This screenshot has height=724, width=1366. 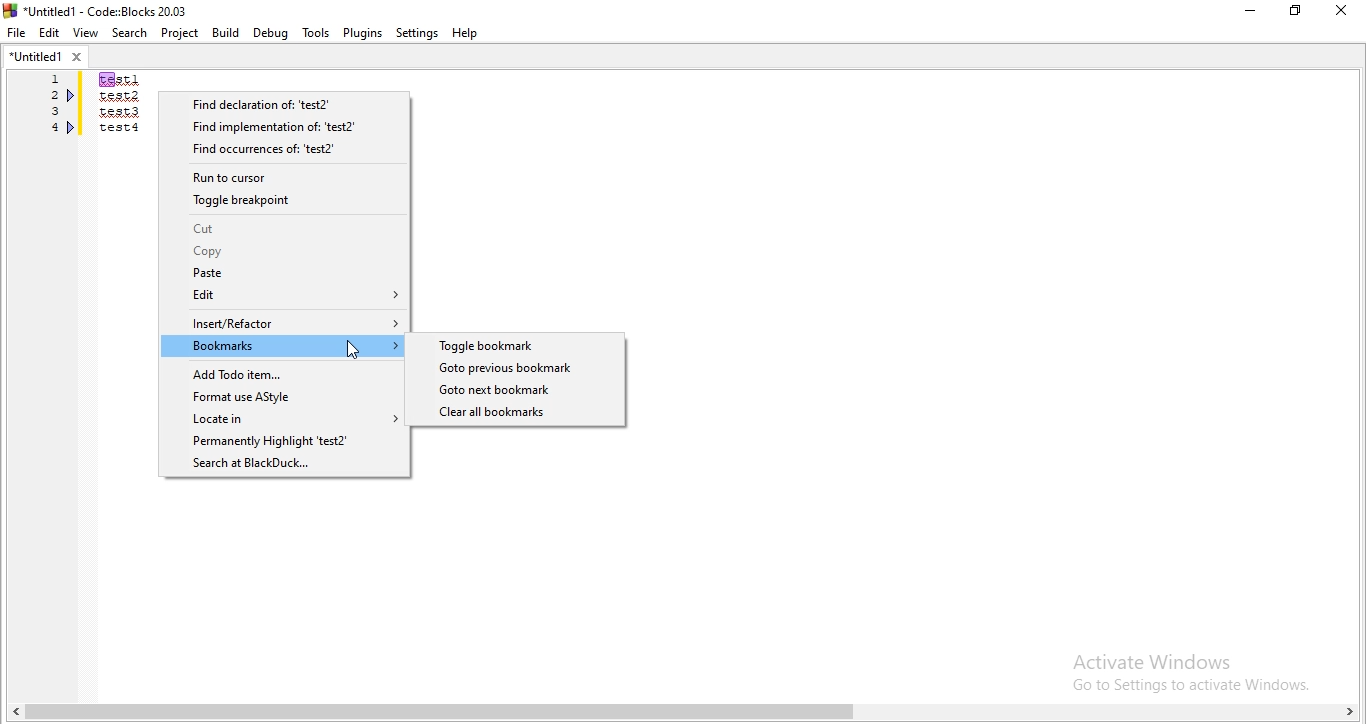 I want to click on Untitled - Code:: blocks 2003, so click(x=98, y=8).